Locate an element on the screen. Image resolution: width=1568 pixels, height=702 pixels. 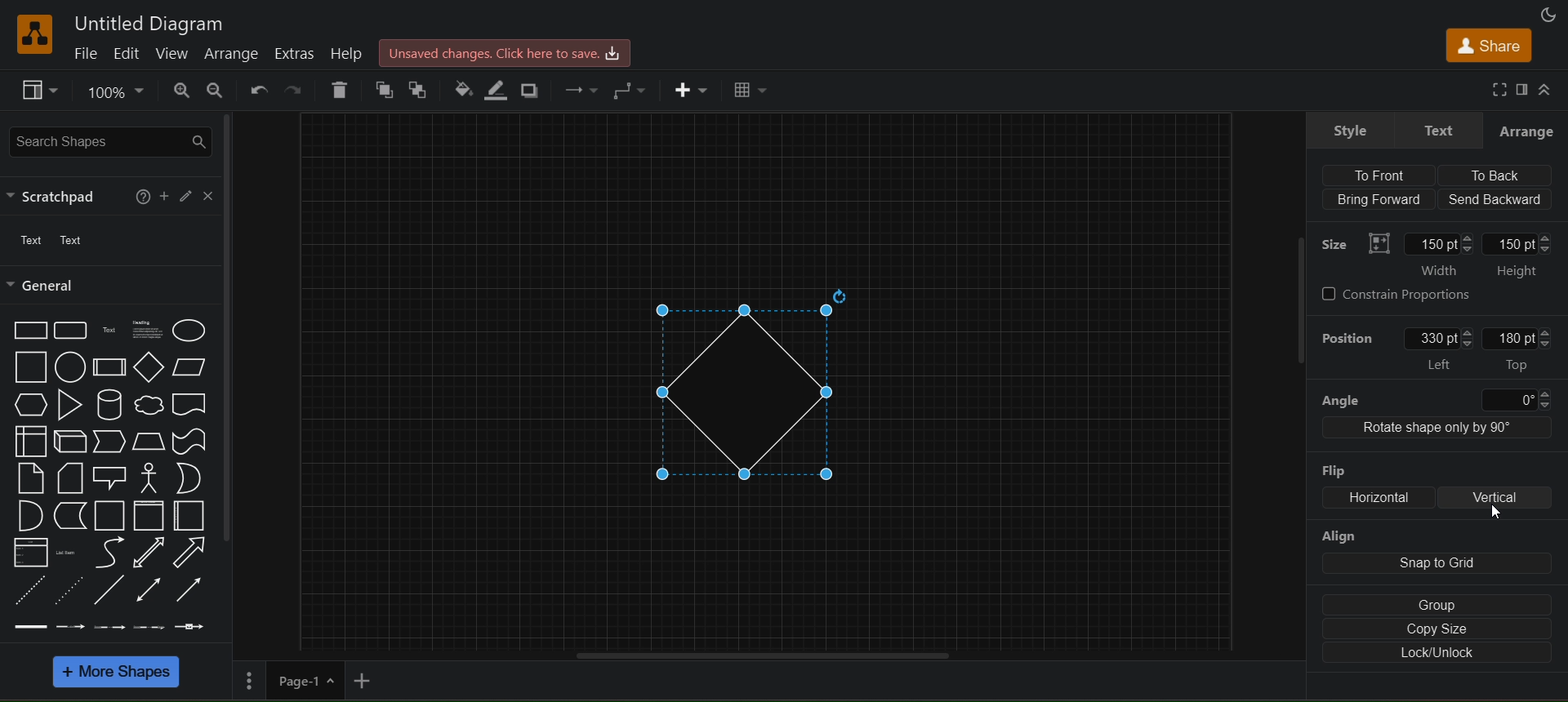
angle is located at coordinates (1434, 398).